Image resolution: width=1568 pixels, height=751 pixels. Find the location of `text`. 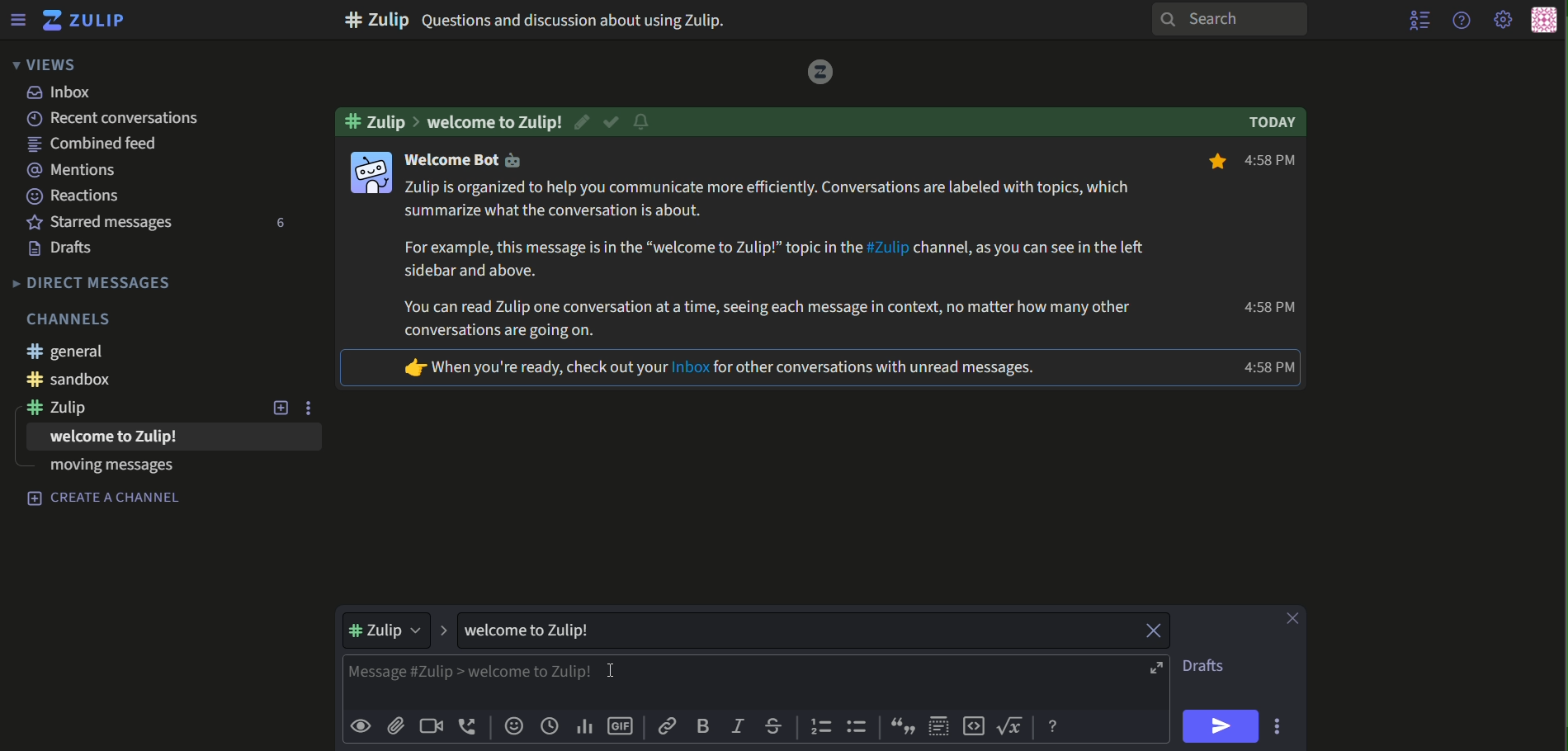

text is located at coordinates (74, 171).